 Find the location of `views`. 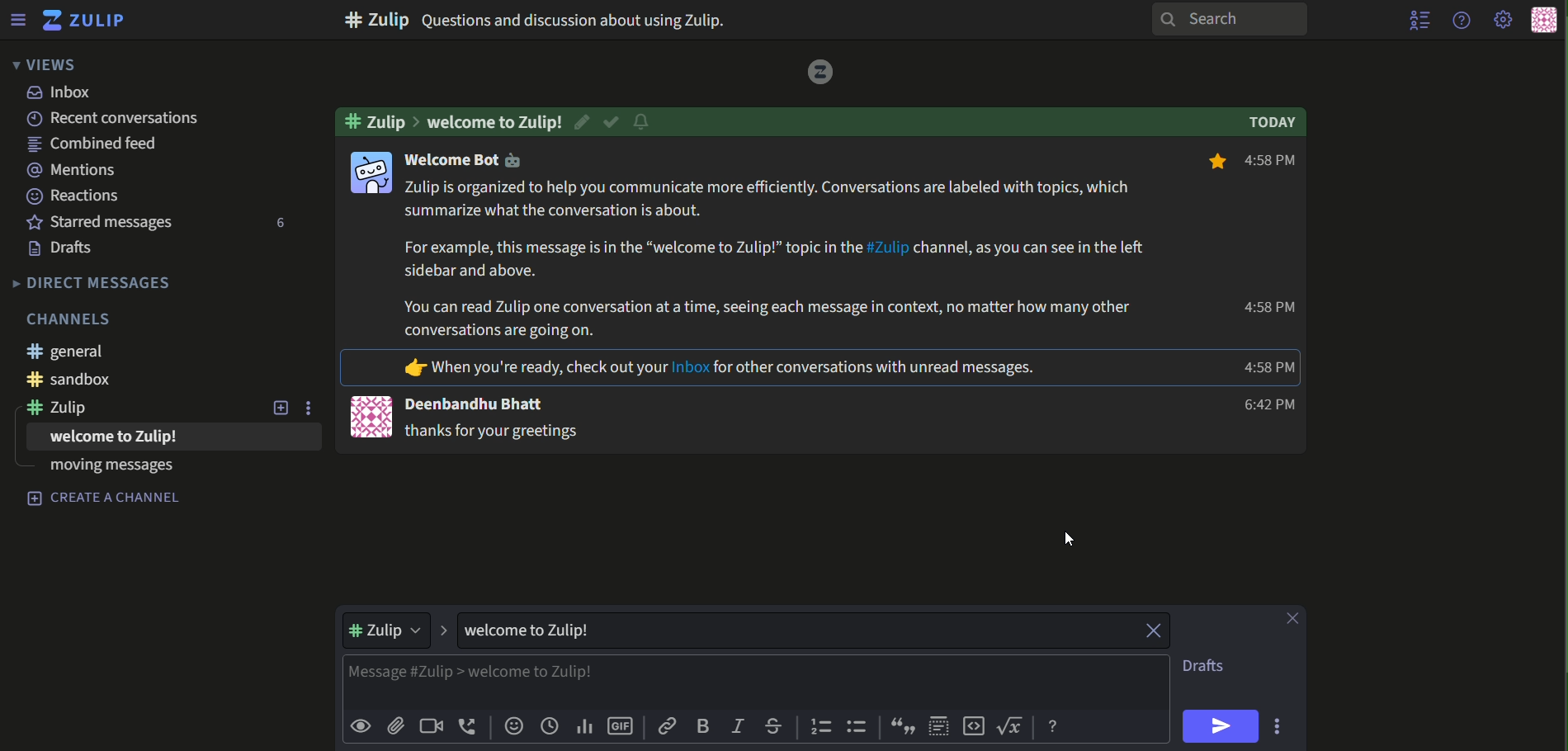

views is located at coordinates (42, 64).